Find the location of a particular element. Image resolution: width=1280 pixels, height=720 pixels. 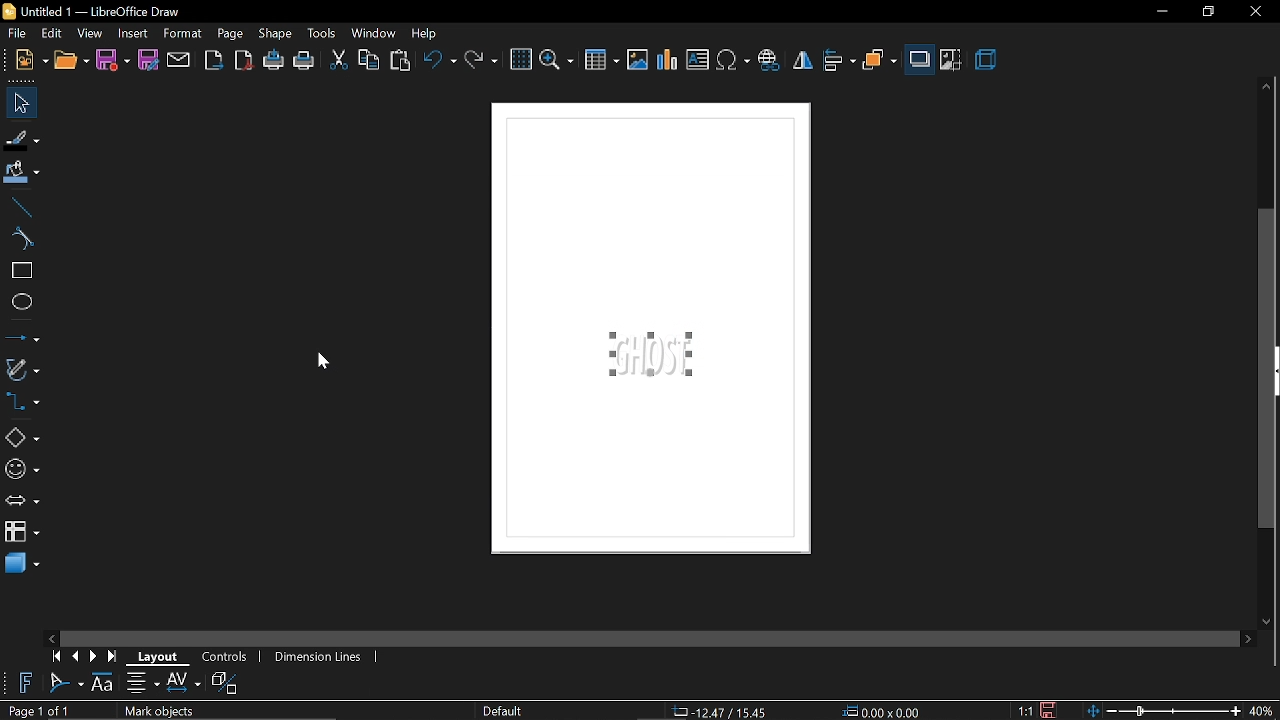

arrange is located at coordinates (880, 61).